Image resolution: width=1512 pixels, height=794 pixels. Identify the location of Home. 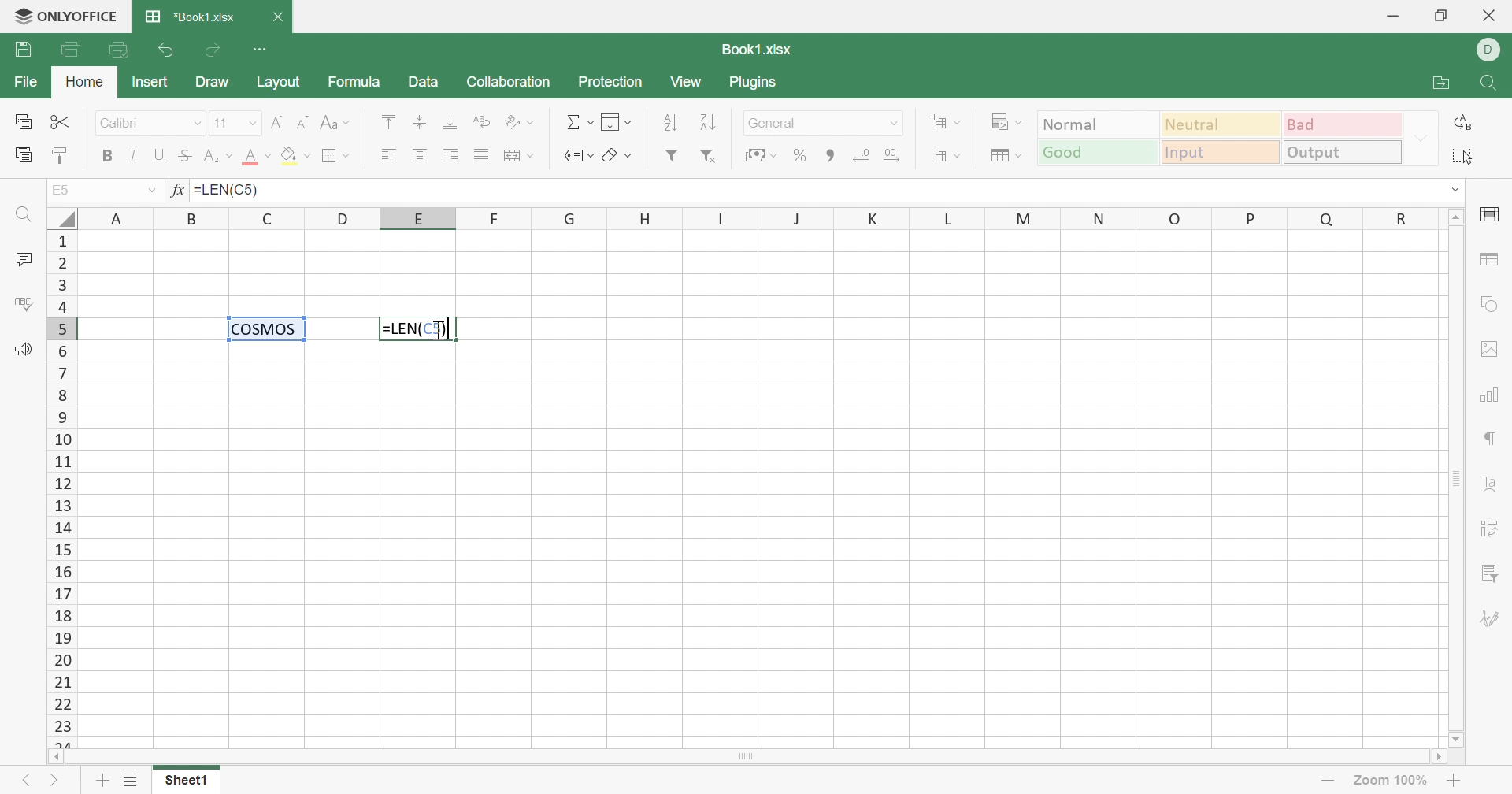
(85, 82).